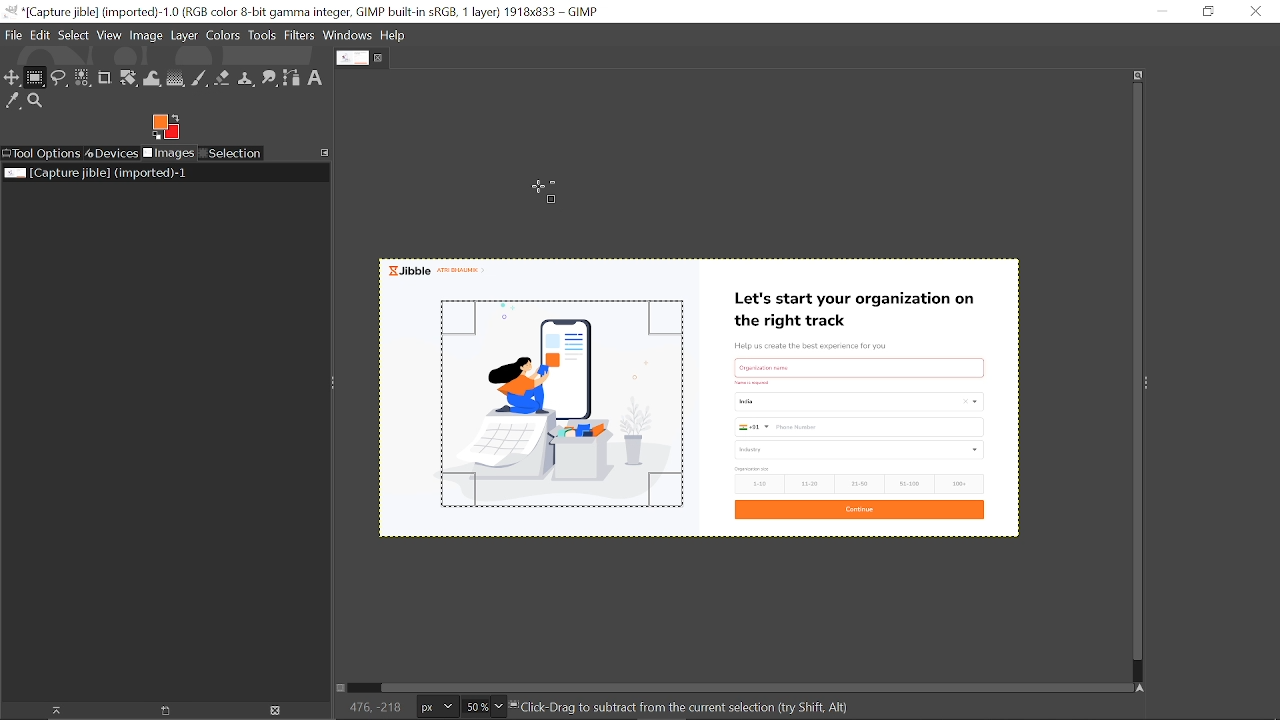 The height and width of the screenshot is (720, 1280). Describe the element at coordinates (959, 484) in the screenshot. I see `100+` at that location.